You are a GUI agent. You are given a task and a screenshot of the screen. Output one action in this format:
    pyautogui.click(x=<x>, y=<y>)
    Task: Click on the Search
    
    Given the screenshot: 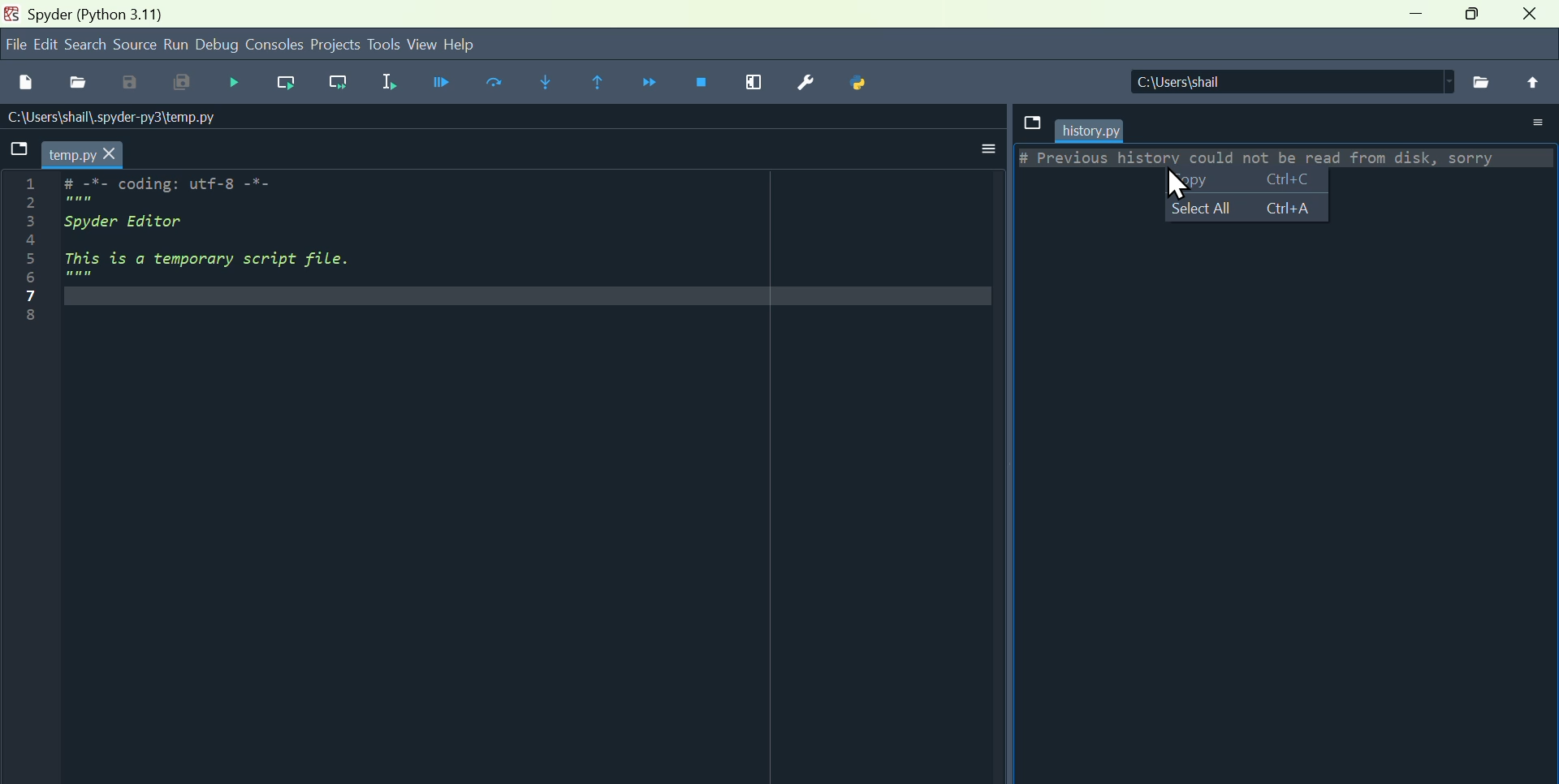 What is the action you would take?
    pyautogui.click(x=84, y=44)
    